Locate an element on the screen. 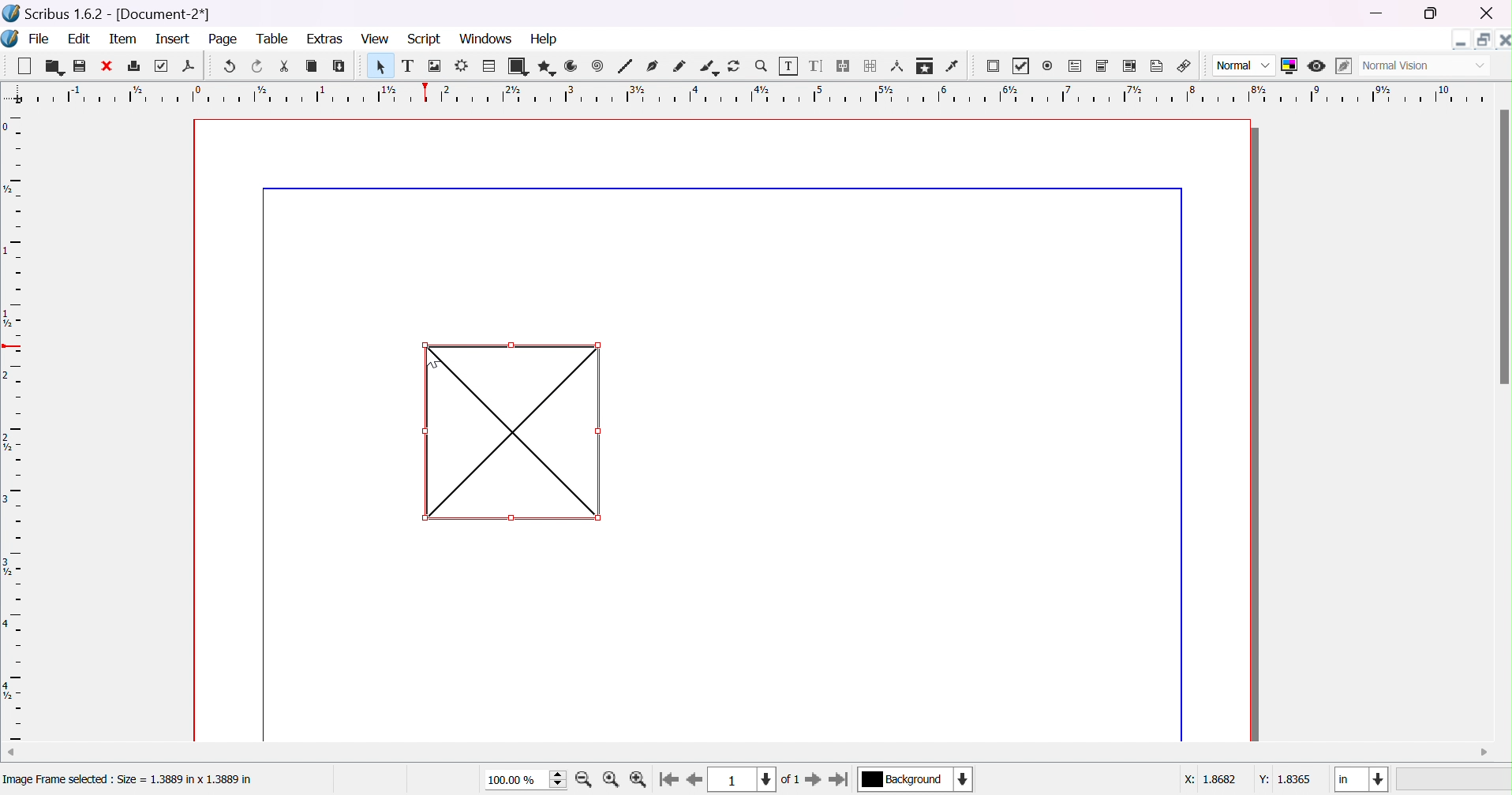  copy item properties is located at coordinates (924, 65).